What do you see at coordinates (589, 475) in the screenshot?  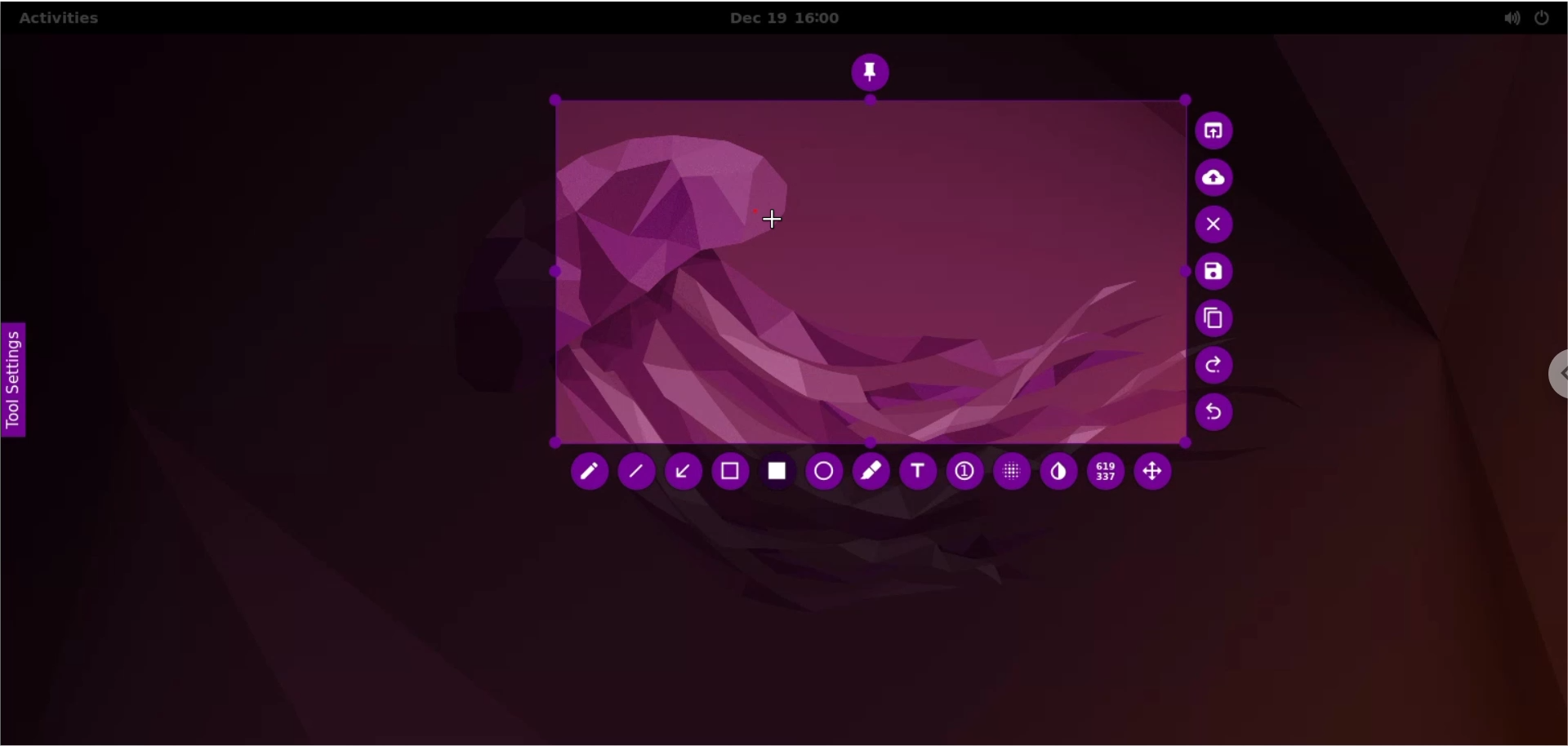 I see `pencil tool` at bounding box center [589, 475].